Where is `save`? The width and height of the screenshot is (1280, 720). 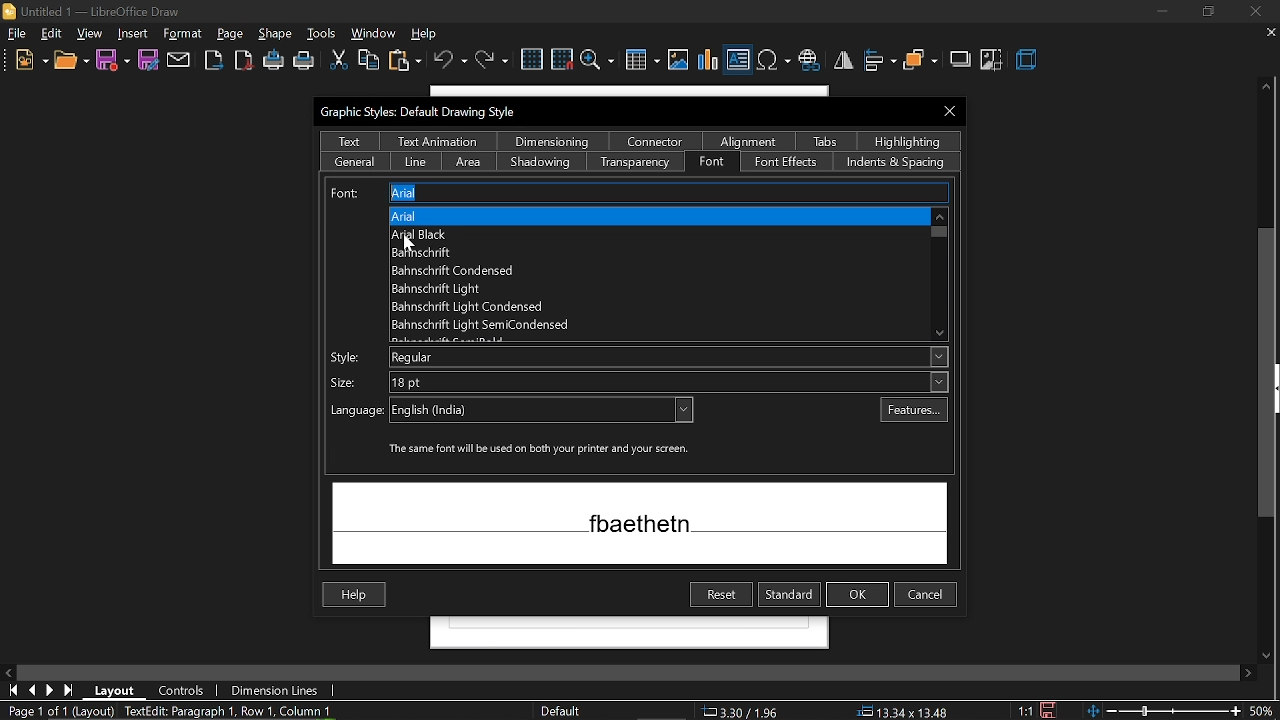
save is located at coordinates (114, 61).